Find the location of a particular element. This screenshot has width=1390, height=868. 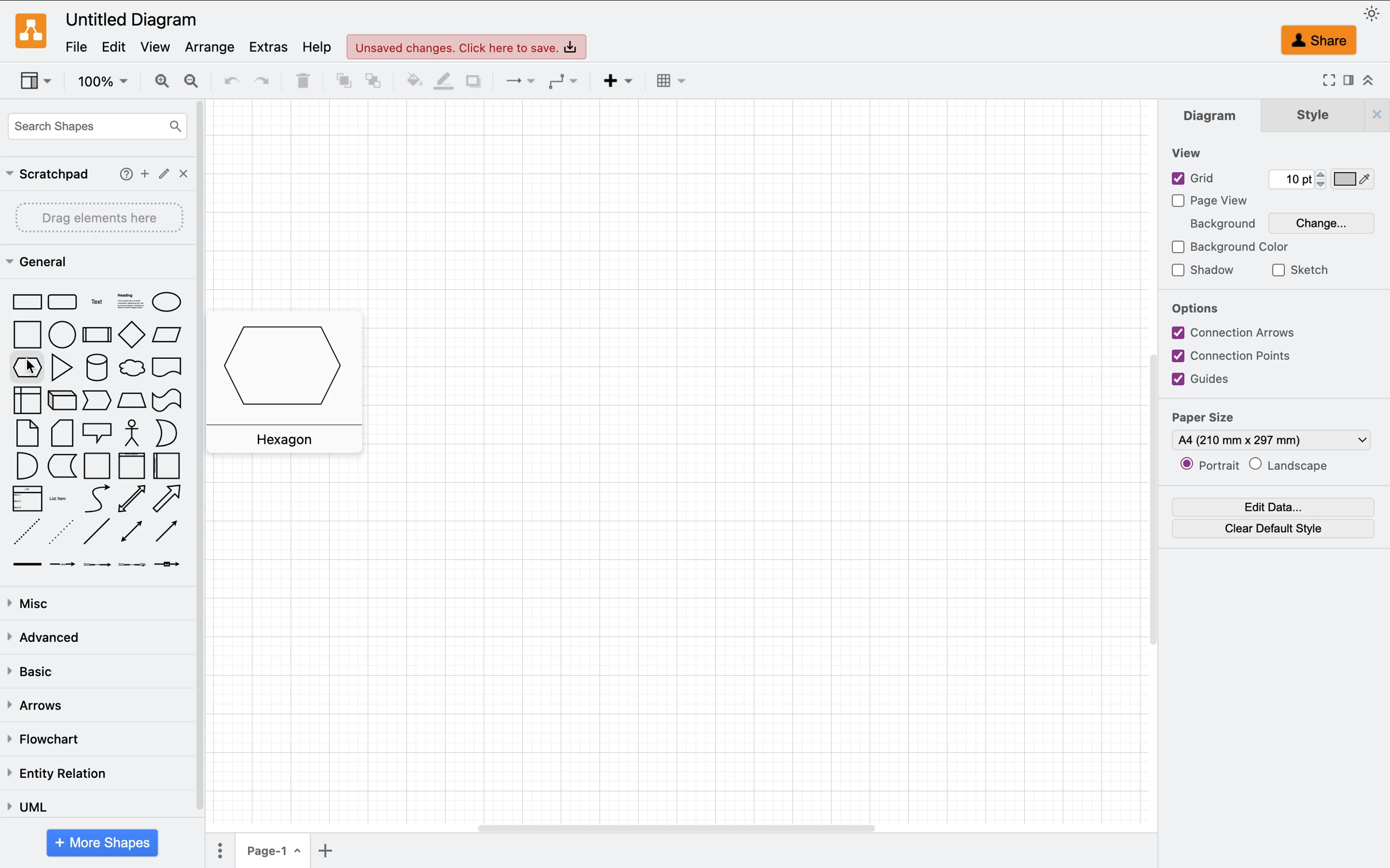

cylinder is located at coordinates (95, 367).